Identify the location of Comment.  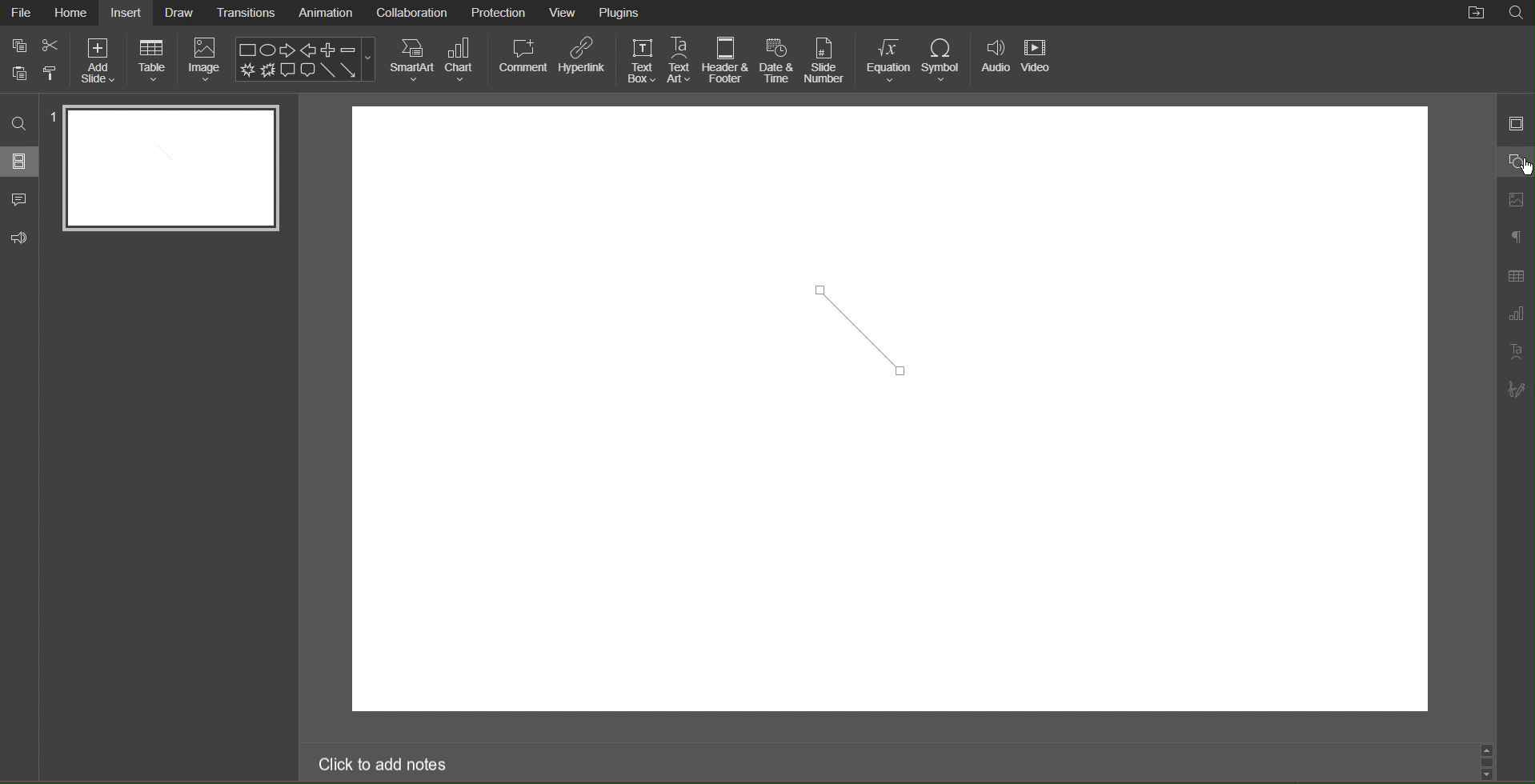
(522, 60).